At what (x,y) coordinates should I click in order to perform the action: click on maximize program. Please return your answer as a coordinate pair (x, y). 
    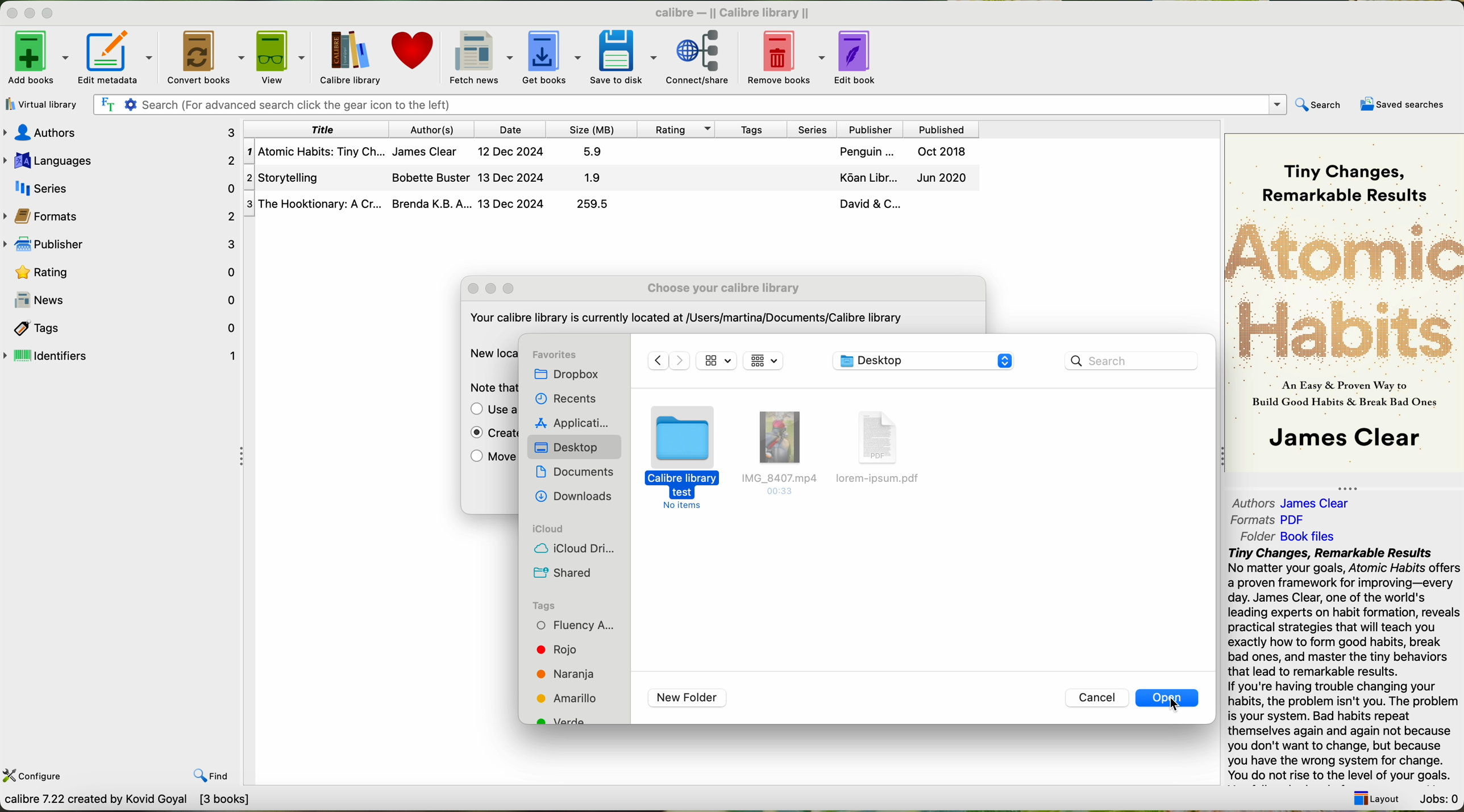
    Looking at the image, I should click on (55, 14).